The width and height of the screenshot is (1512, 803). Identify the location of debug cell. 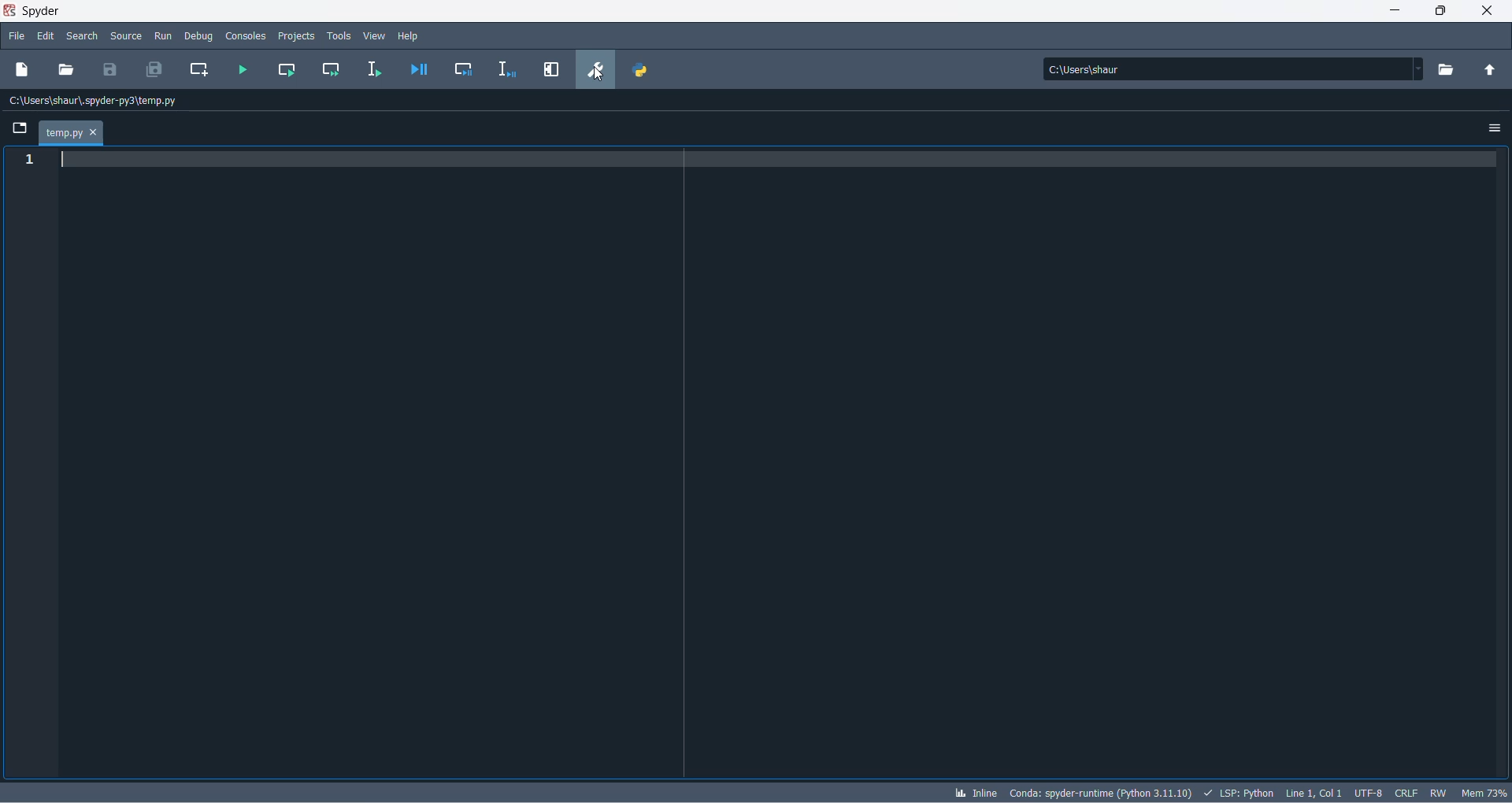
(465, 70).